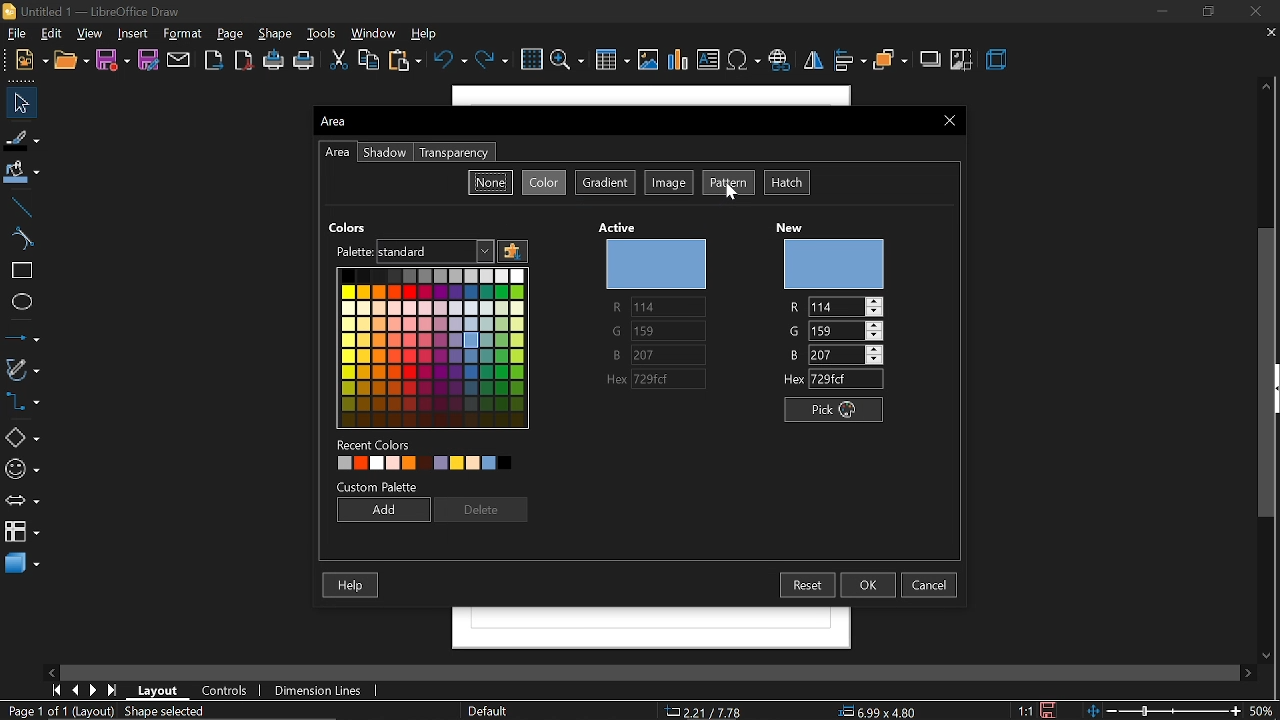 Image resolution: width=1280 pixels, height=720 pixels. Describe the element at coordinates (338, 60) in the screenshot. I see `cut` at that location.